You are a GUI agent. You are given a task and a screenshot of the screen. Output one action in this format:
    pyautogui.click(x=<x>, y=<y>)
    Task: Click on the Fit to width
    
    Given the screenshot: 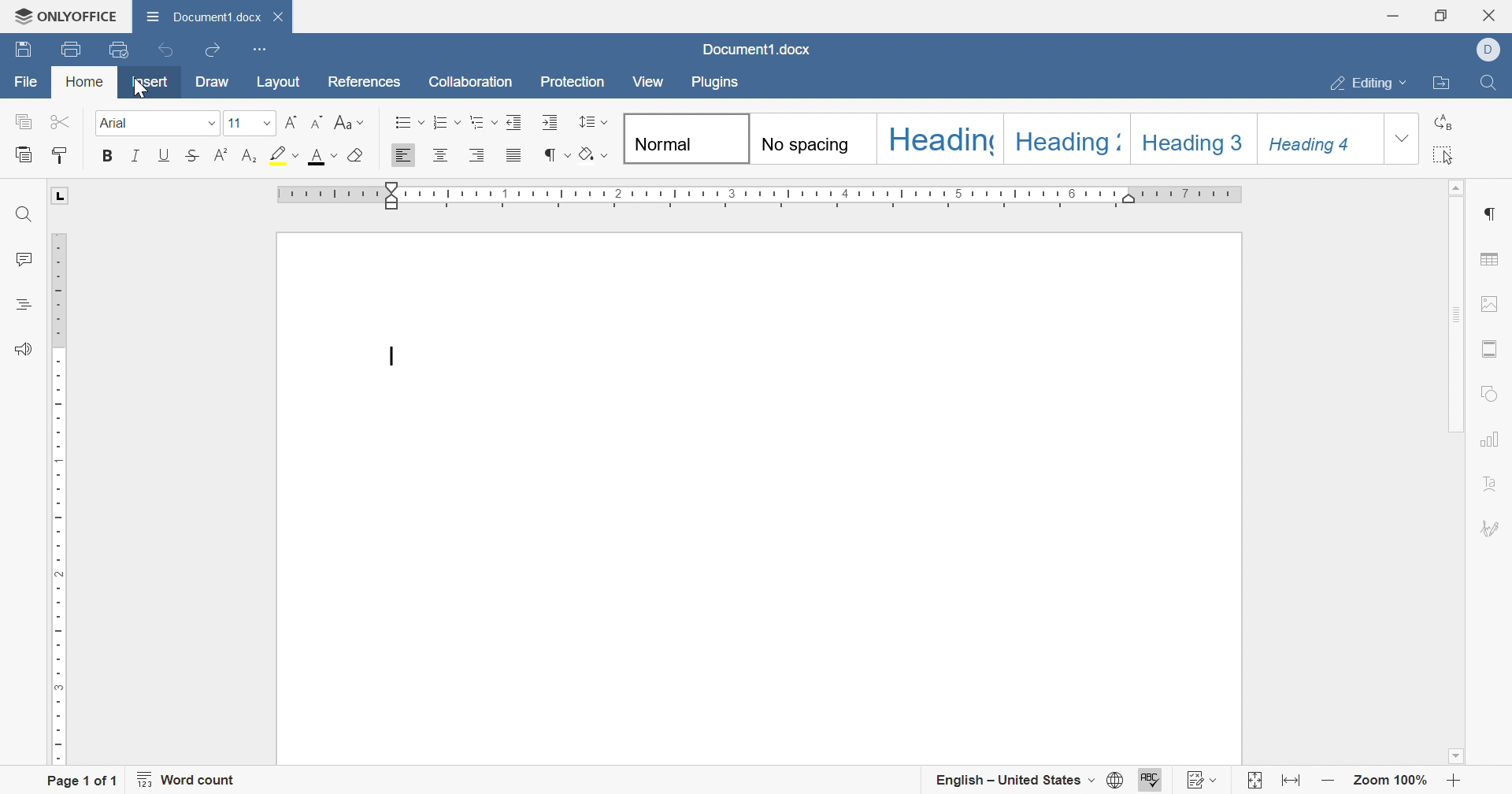 What is the action you would take?
    pyautogui.click(x=1289, y=778)
    